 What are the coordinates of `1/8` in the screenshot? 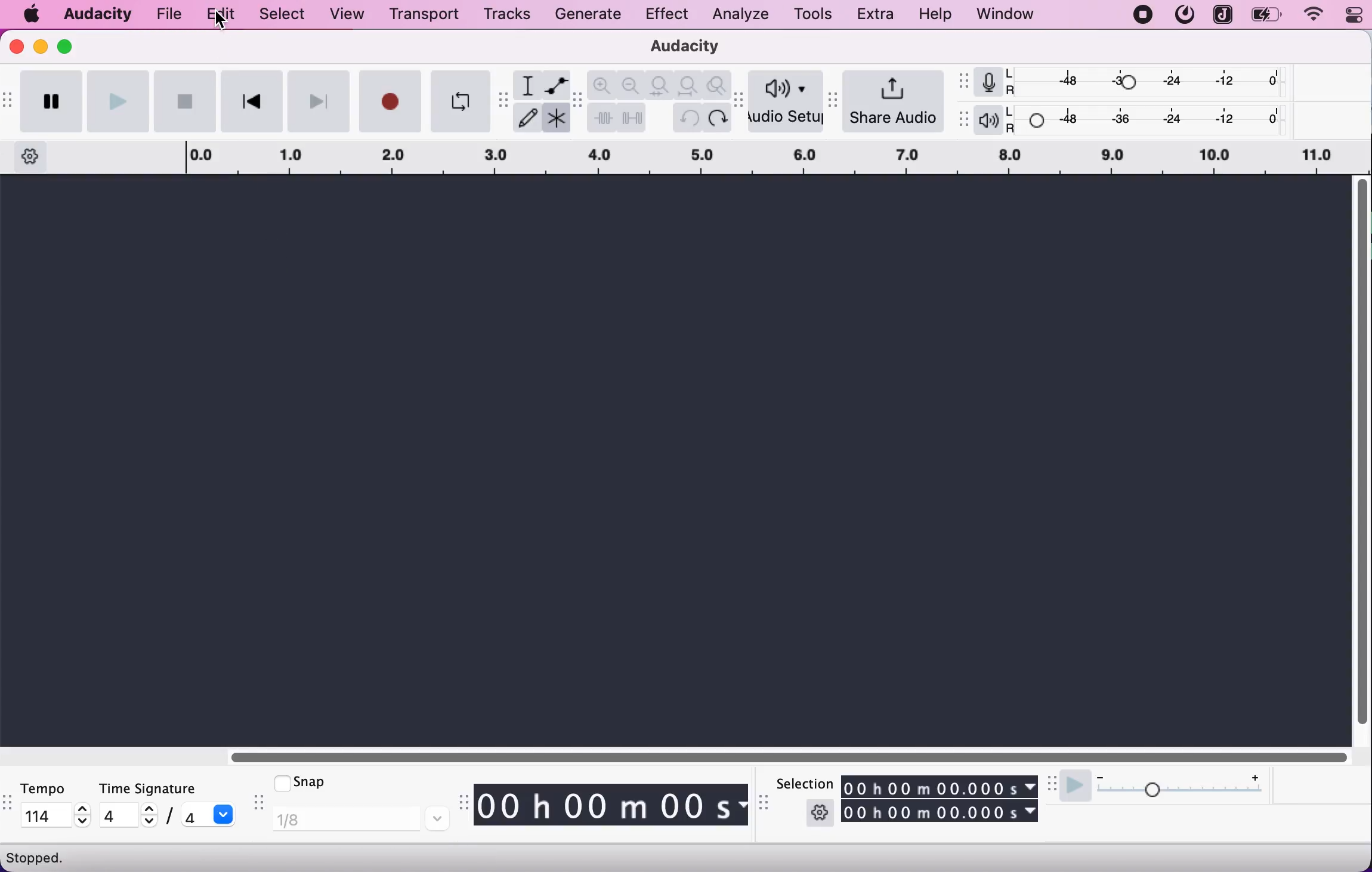 It's located at (360, 820).